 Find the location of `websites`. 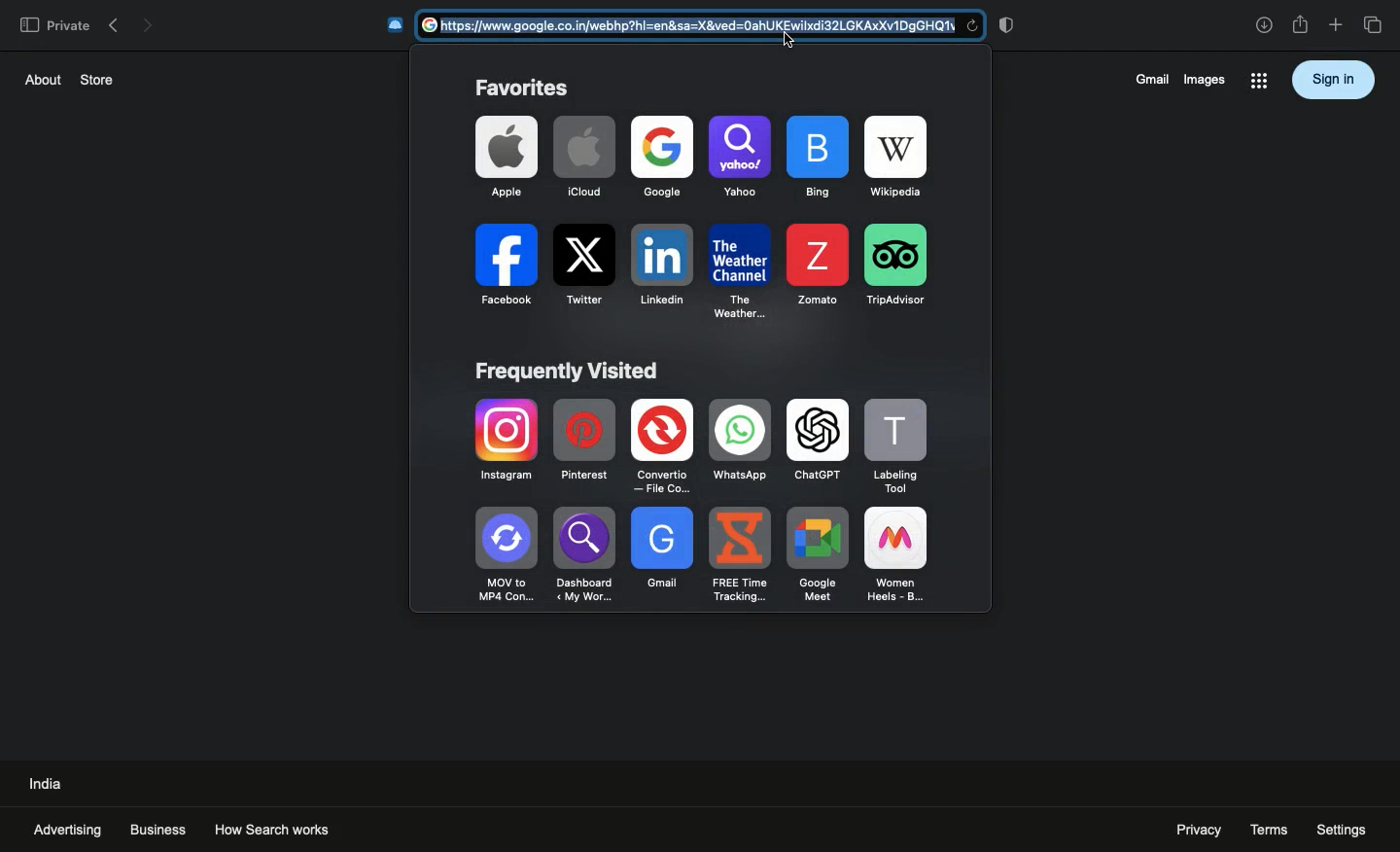

websites is located at coordinates (708, 503).